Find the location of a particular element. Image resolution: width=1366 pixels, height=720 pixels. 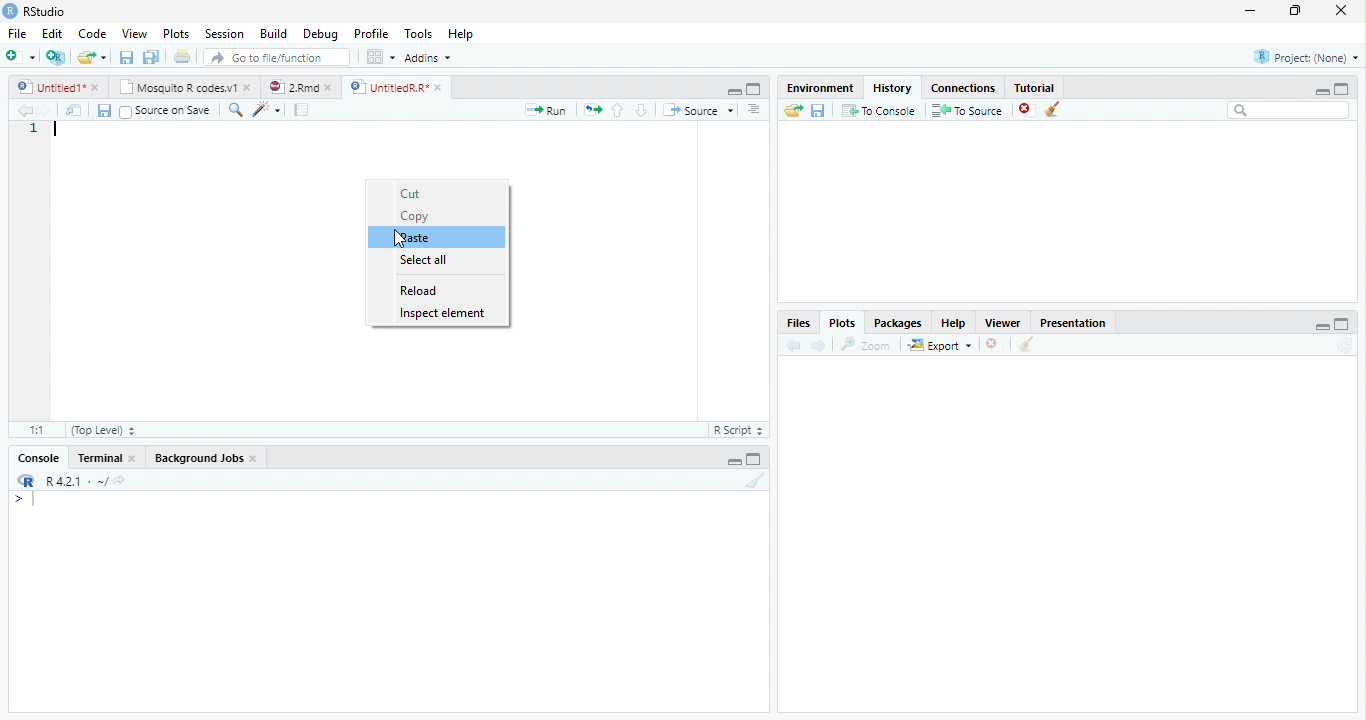

Refresh is located at coordinates (1348, 345).